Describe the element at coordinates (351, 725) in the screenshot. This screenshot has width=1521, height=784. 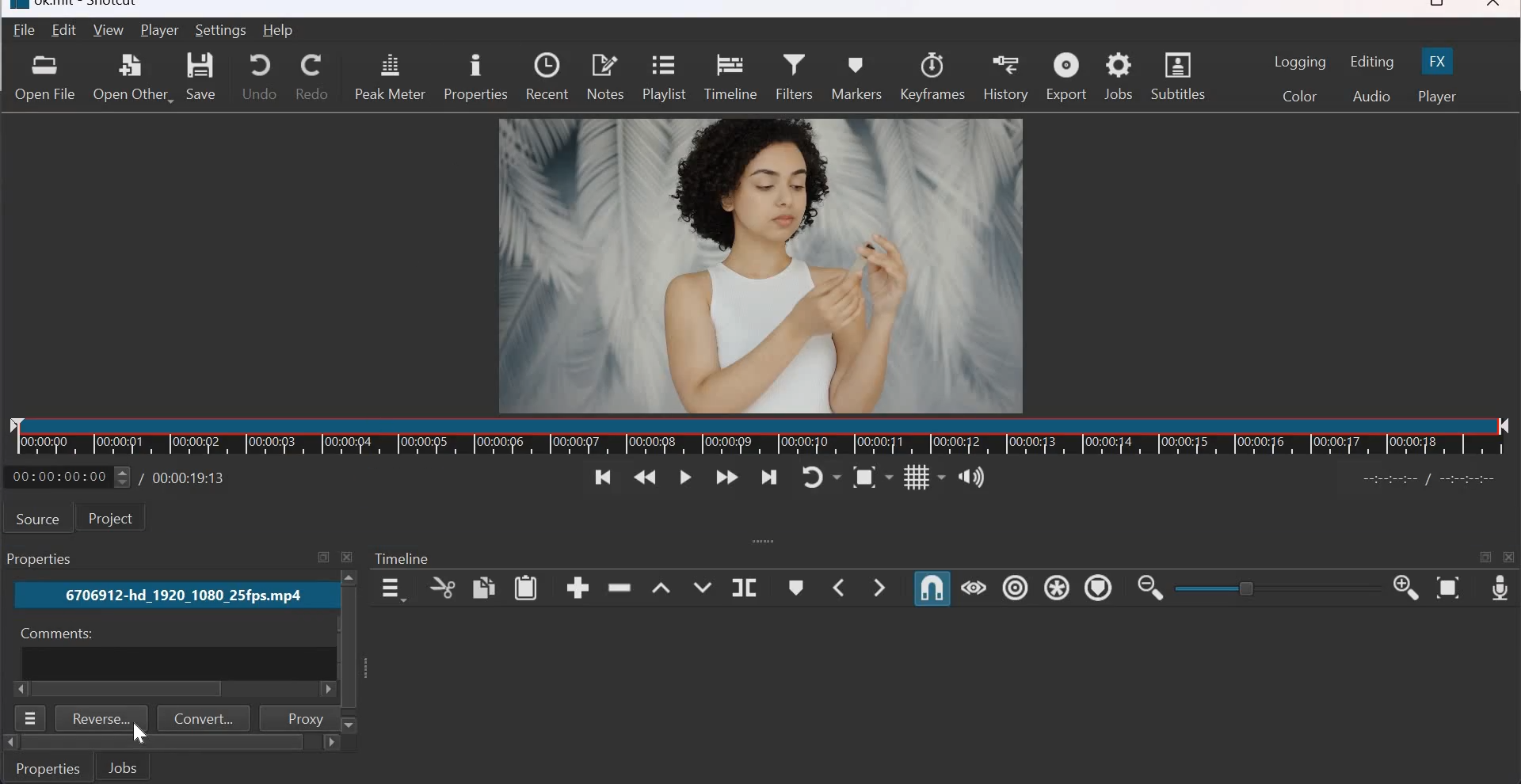
I see `scroll down` at that location.